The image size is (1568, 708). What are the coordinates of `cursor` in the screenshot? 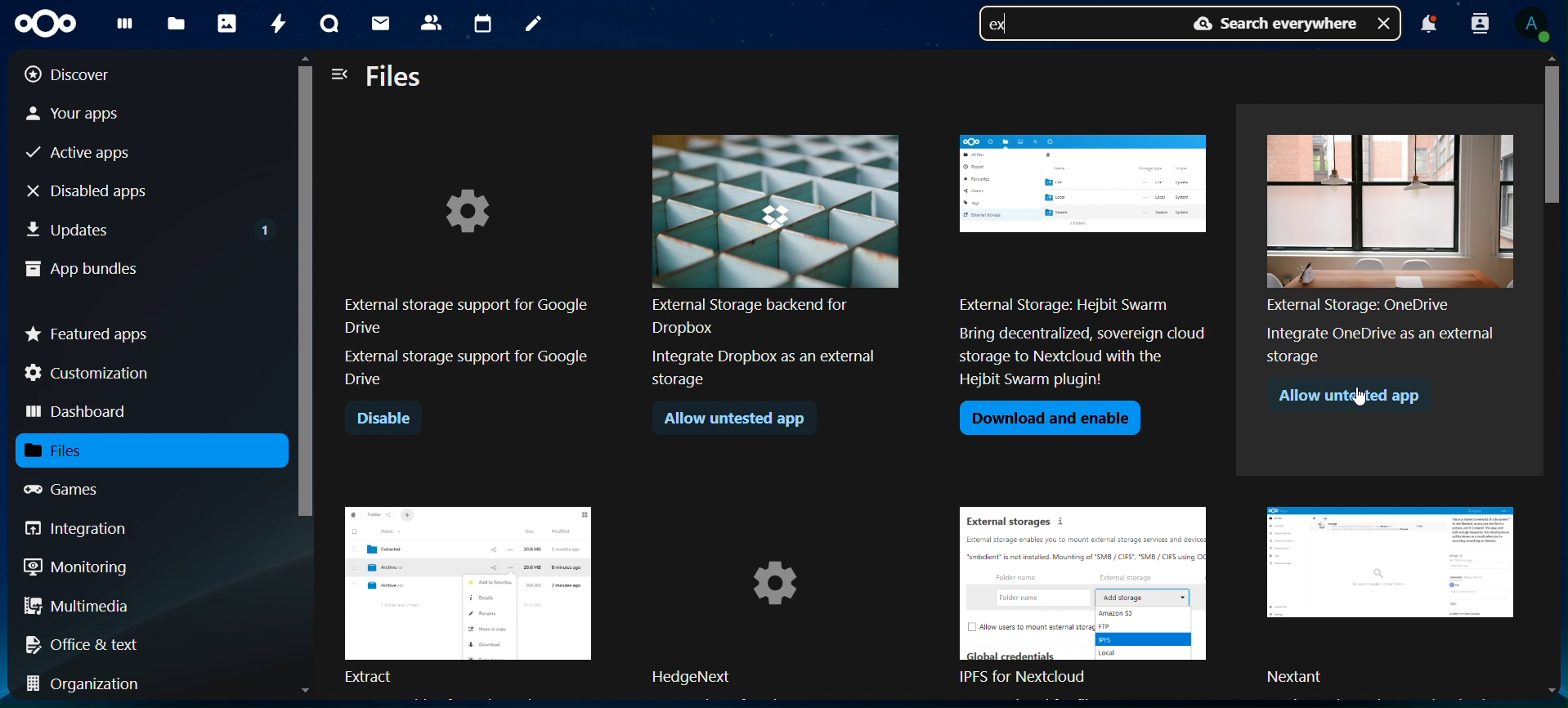 It's located at (1364, 402).